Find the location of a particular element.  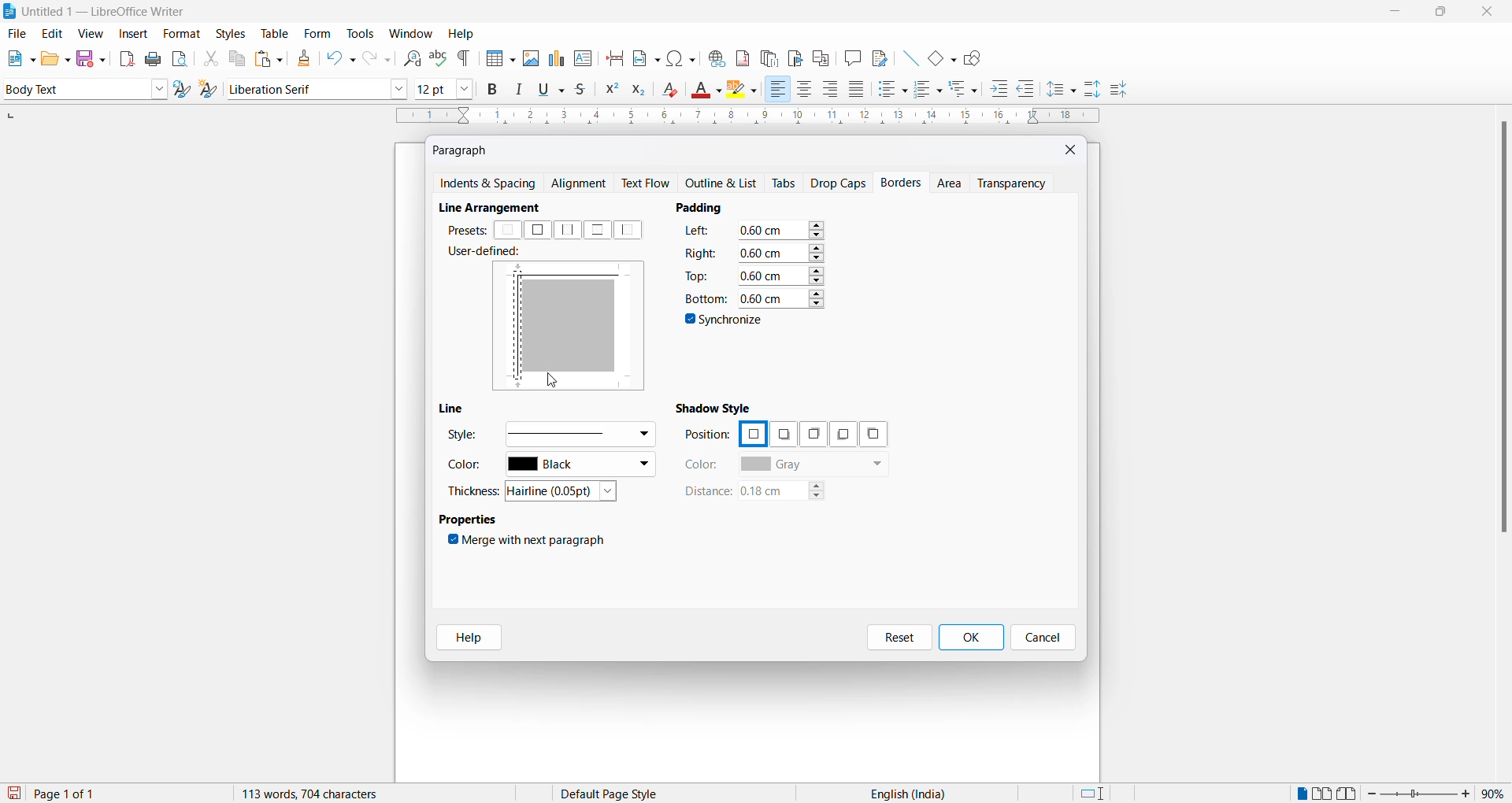

find and replace is located at coordinates (409, 57).